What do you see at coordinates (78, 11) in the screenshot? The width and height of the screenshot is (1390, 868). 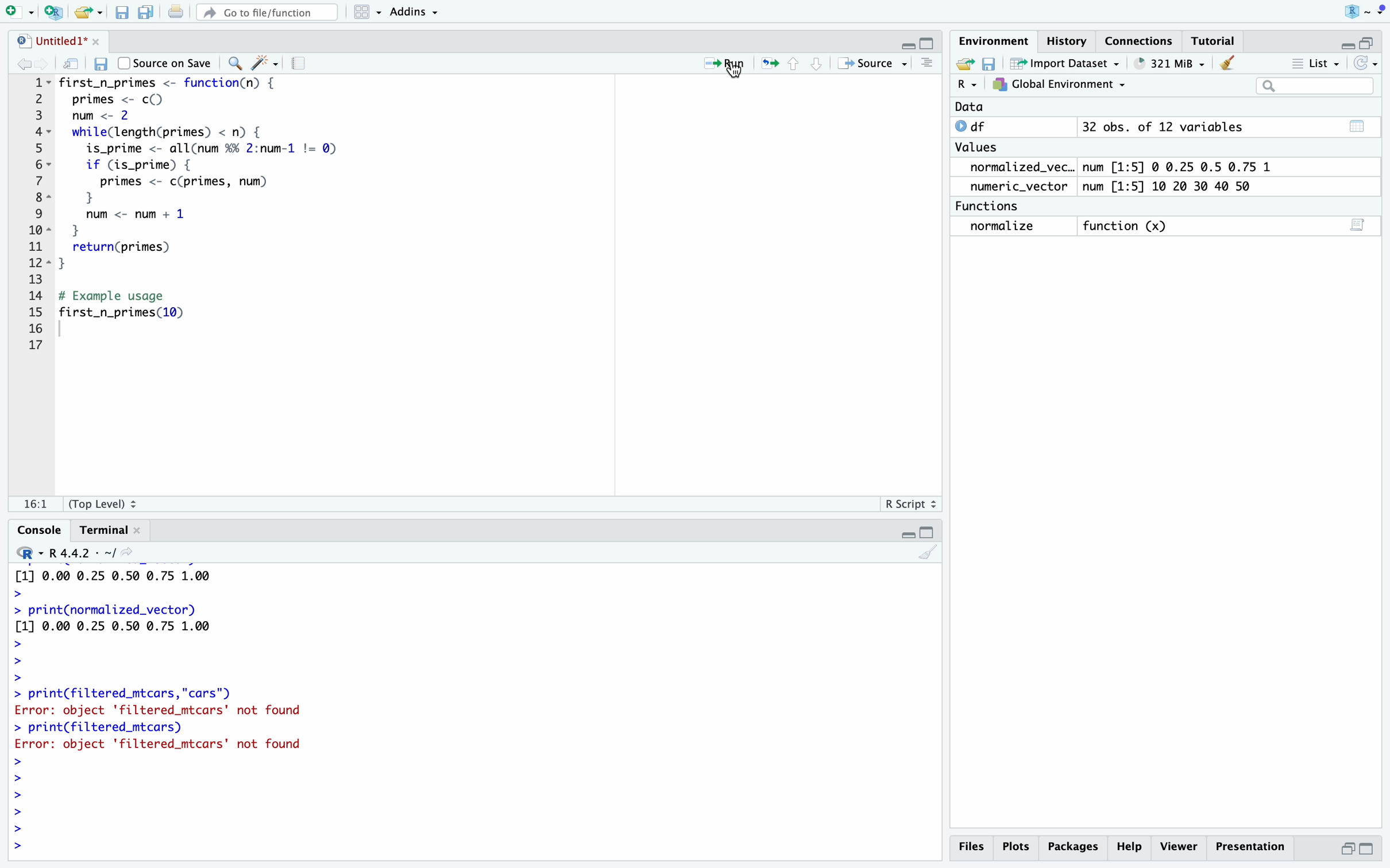 I see `RStudio` at bounding box center [78, 11].